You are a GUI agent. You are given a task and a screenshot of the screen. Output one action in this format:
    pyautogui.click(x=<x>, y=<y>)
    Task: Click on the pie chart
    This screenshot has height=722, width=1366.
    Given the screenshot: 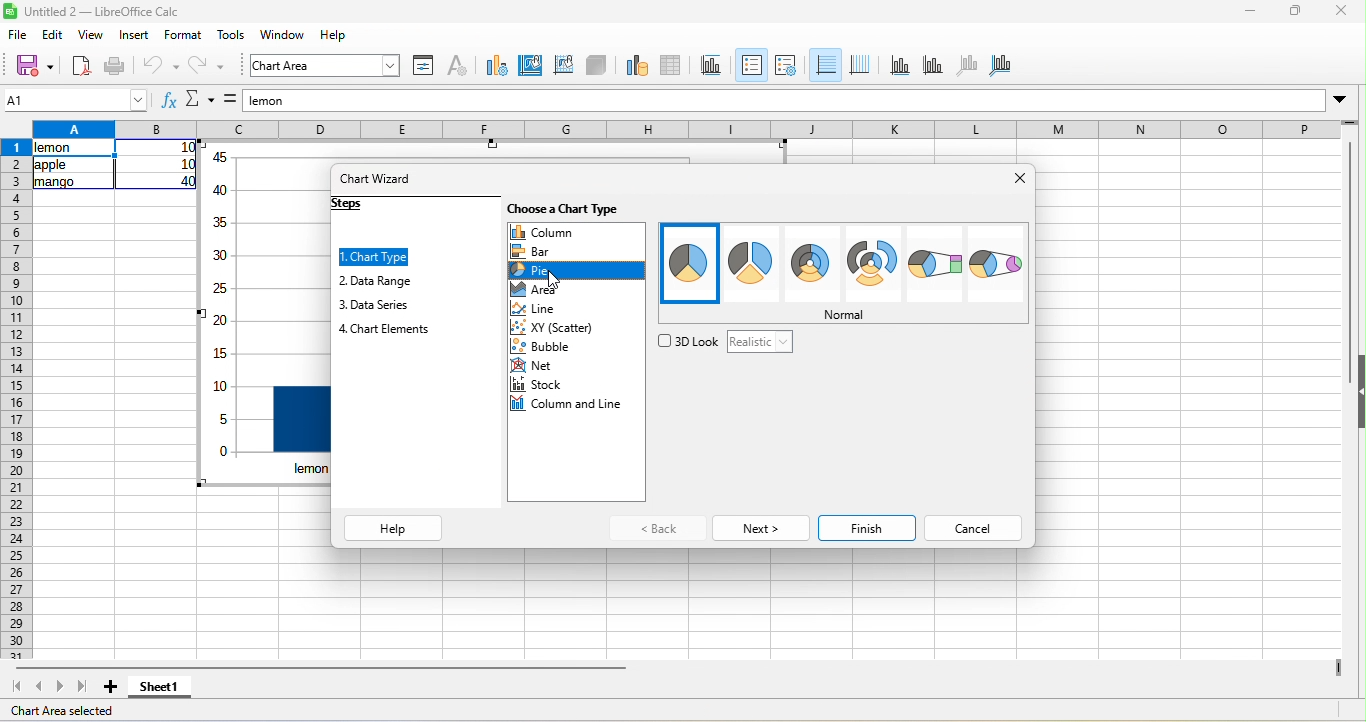 What is the action you would take?
    pyautogui.click(x=874, y=263)
    